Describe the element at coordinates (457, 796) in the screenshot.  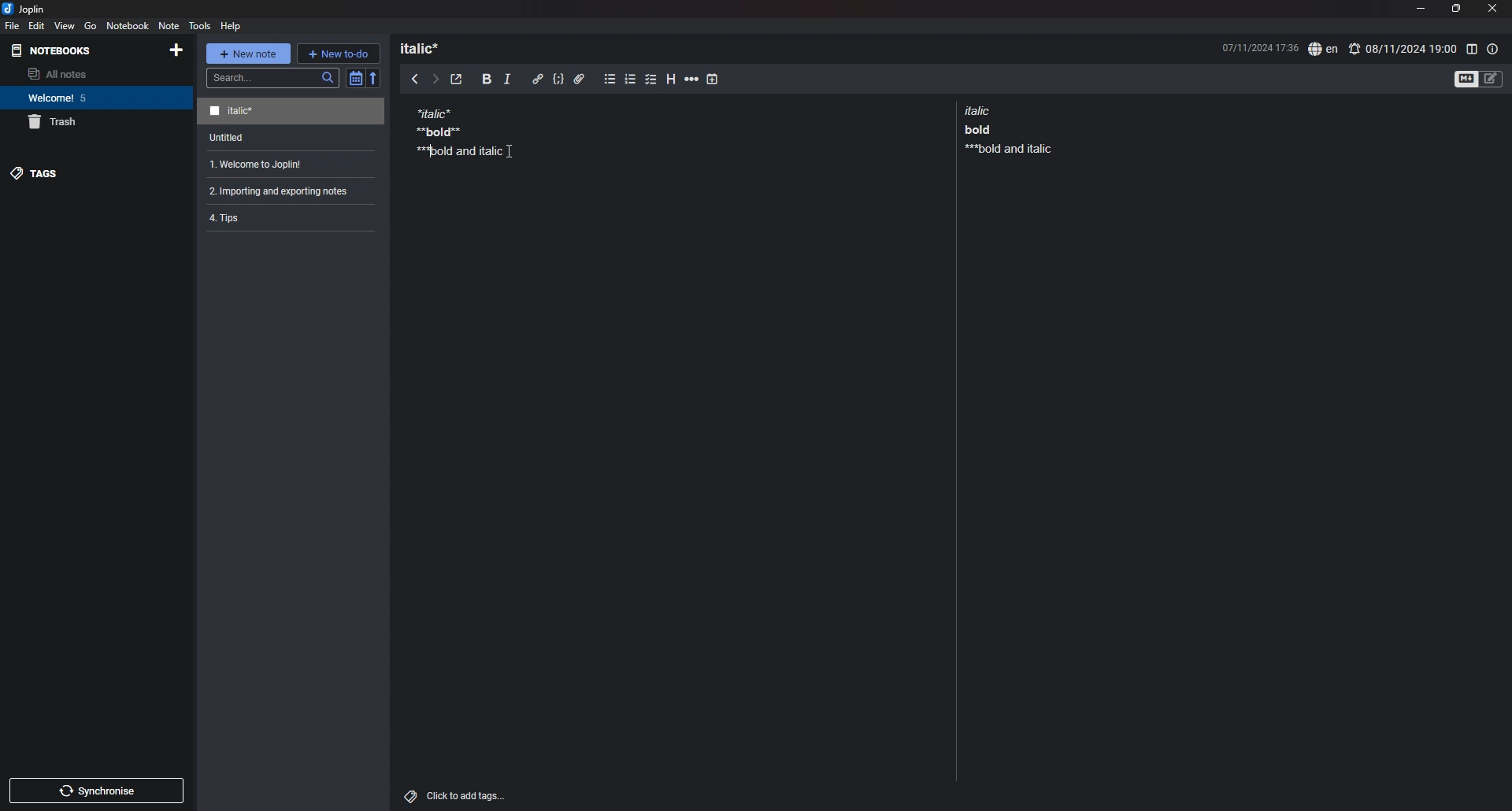
I see `add tags` at that location.